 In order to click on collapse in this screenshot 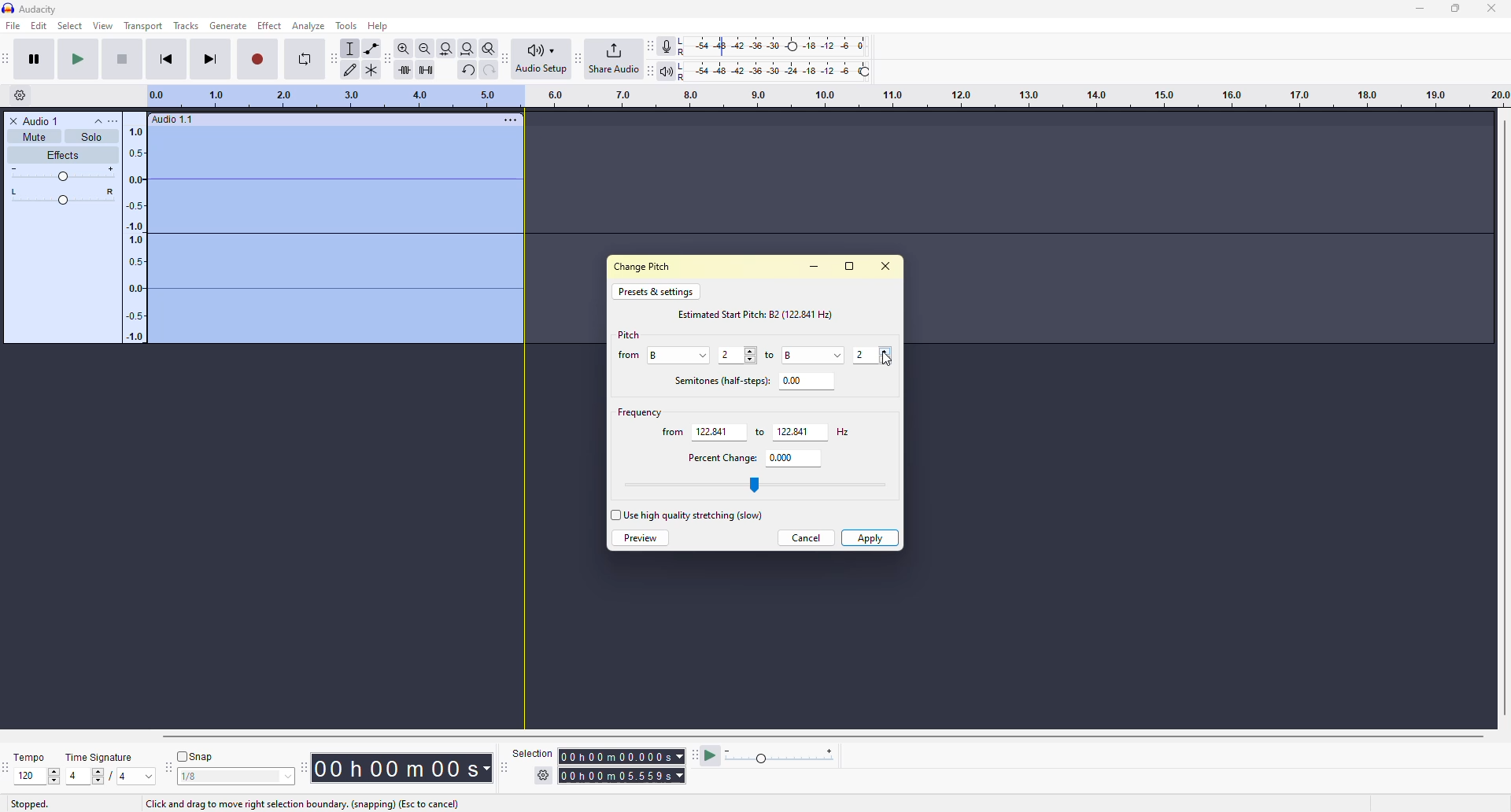, I will do `click(98, 120)`.